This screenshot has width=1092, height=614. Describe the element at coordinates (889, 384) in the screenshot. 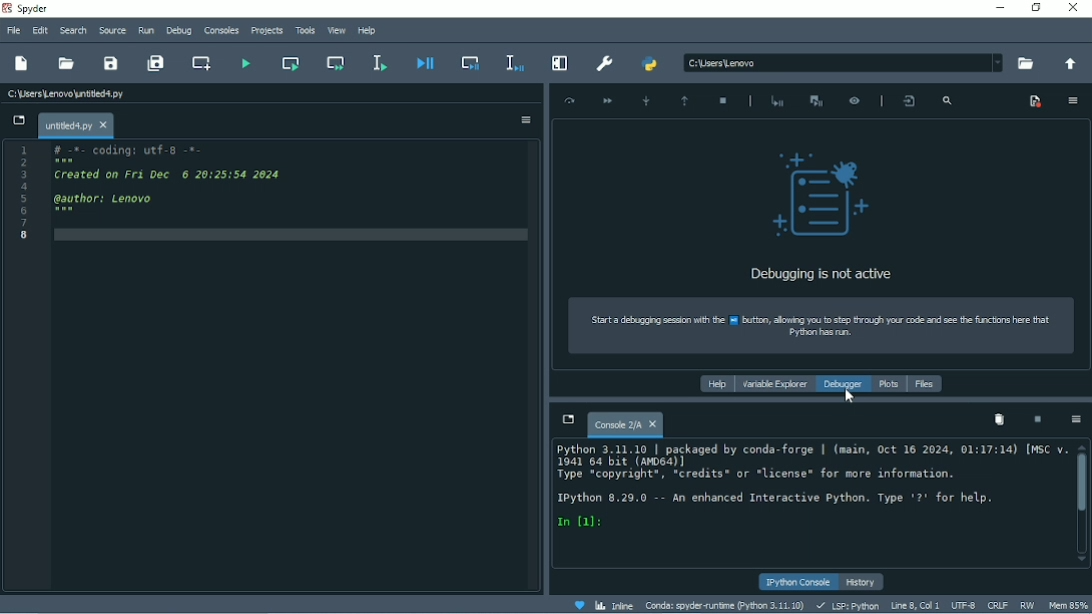

I see `Plots` at that location.